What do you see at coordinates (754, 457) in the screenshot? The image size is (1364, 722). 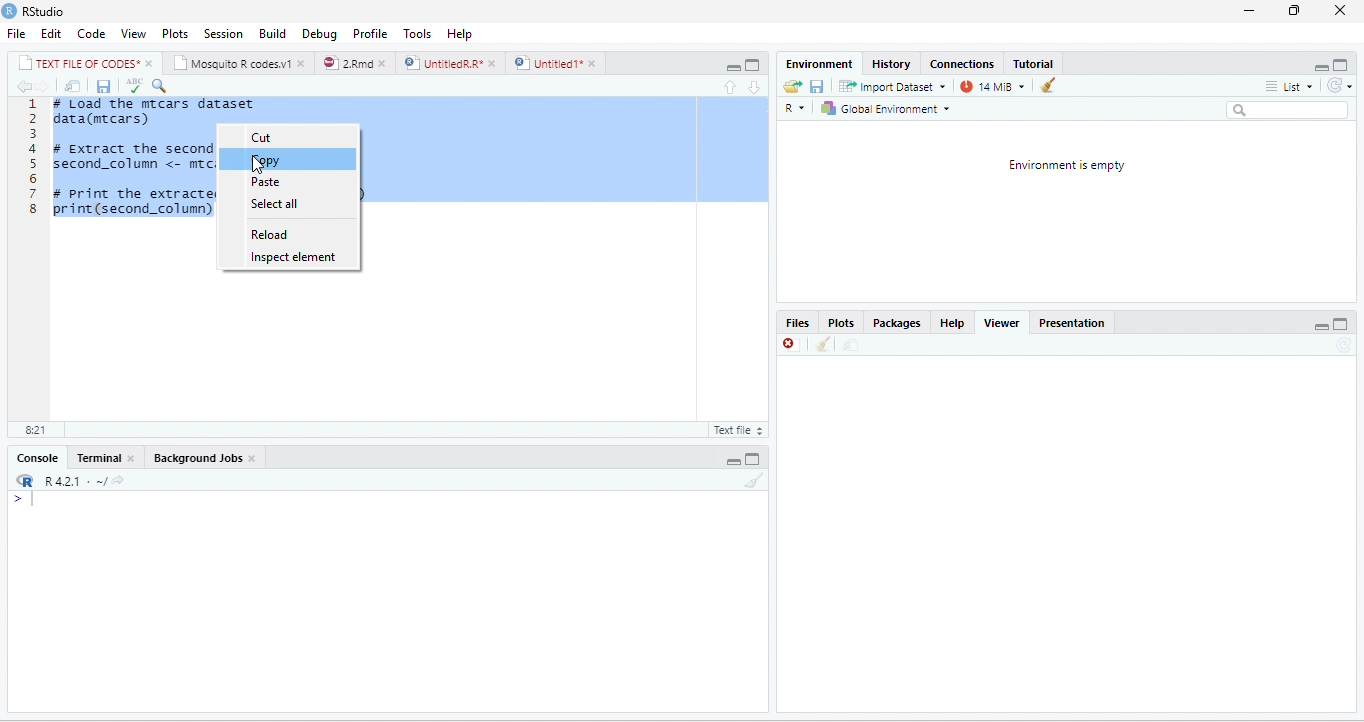 I see `maximize` at bounding box center [754, 457].